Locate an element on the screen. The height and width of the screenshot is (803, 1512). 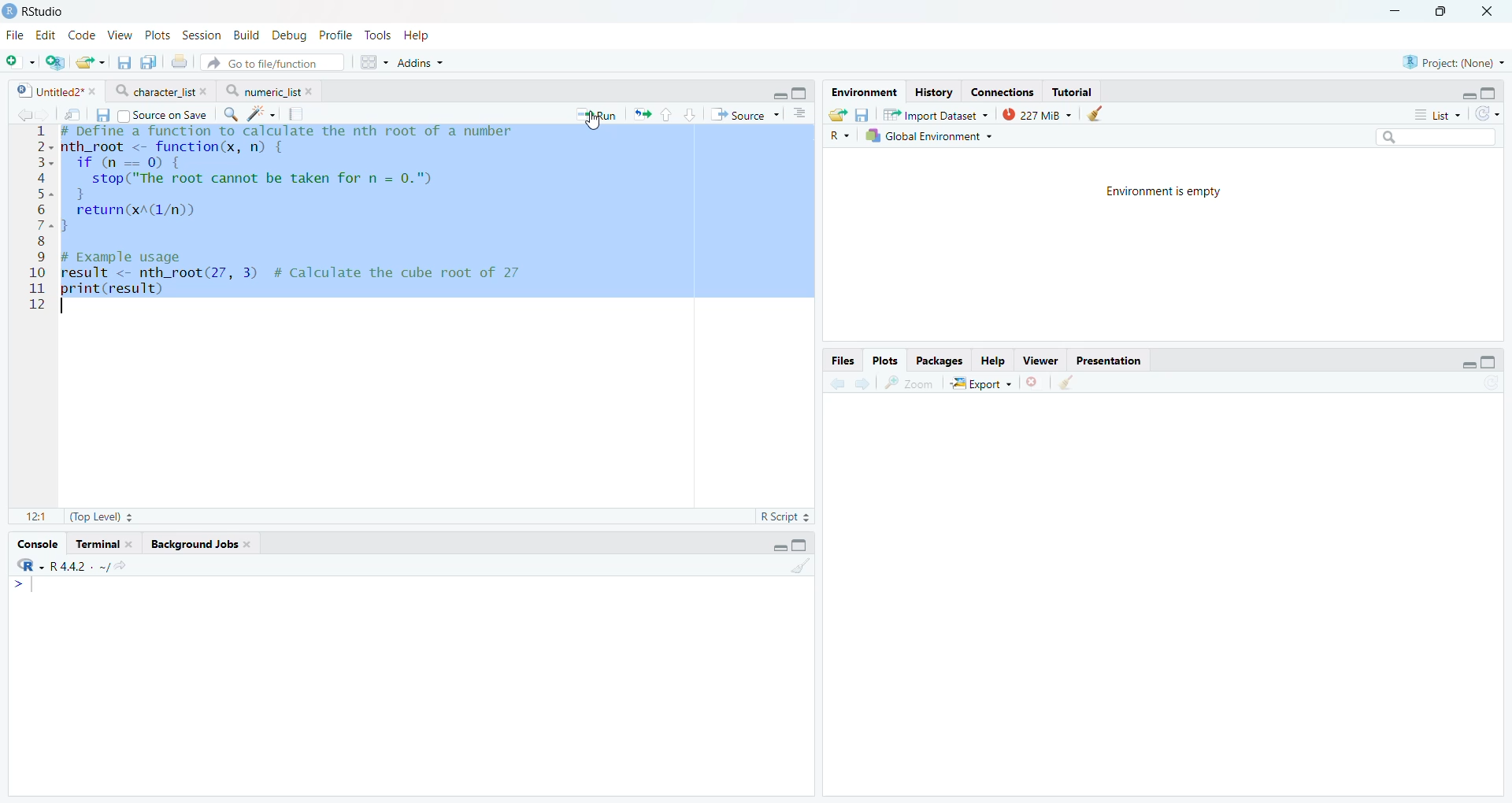
Run the current line or selection is located at coordinates (596, 115).